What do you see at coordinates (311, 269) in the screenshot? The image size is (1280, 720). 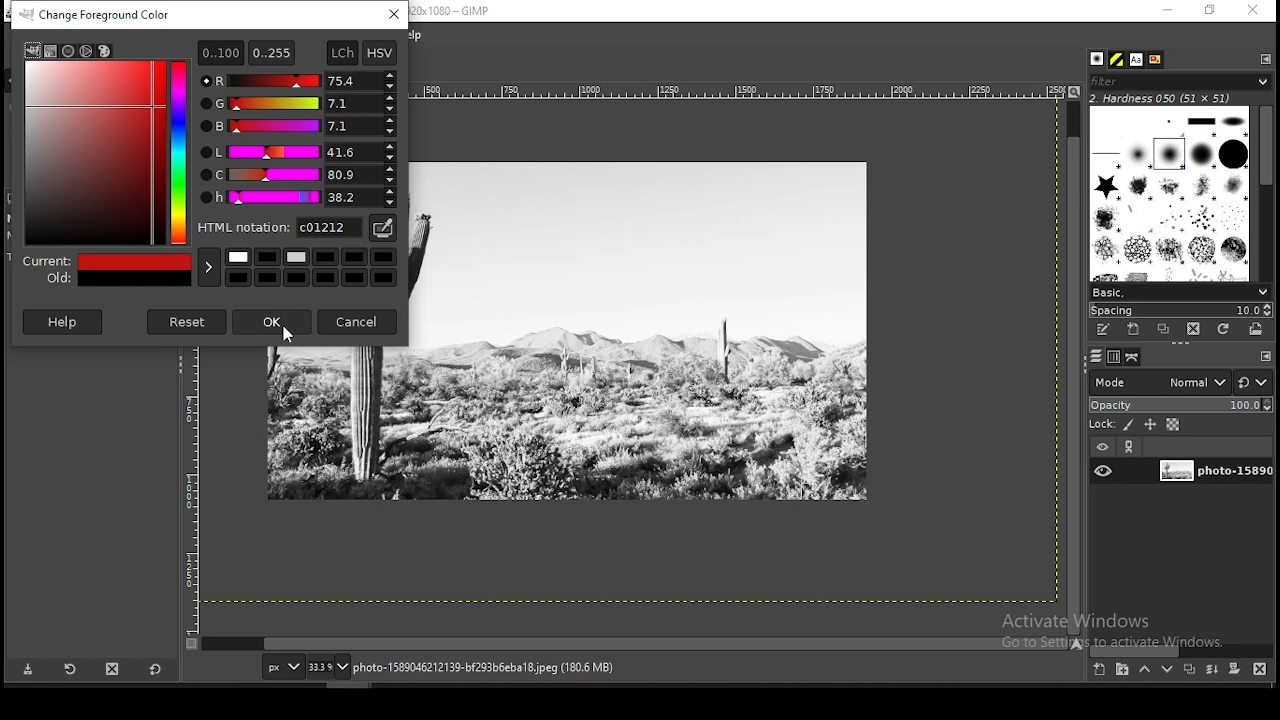 I see `colors` at bounding box center [311, 269].